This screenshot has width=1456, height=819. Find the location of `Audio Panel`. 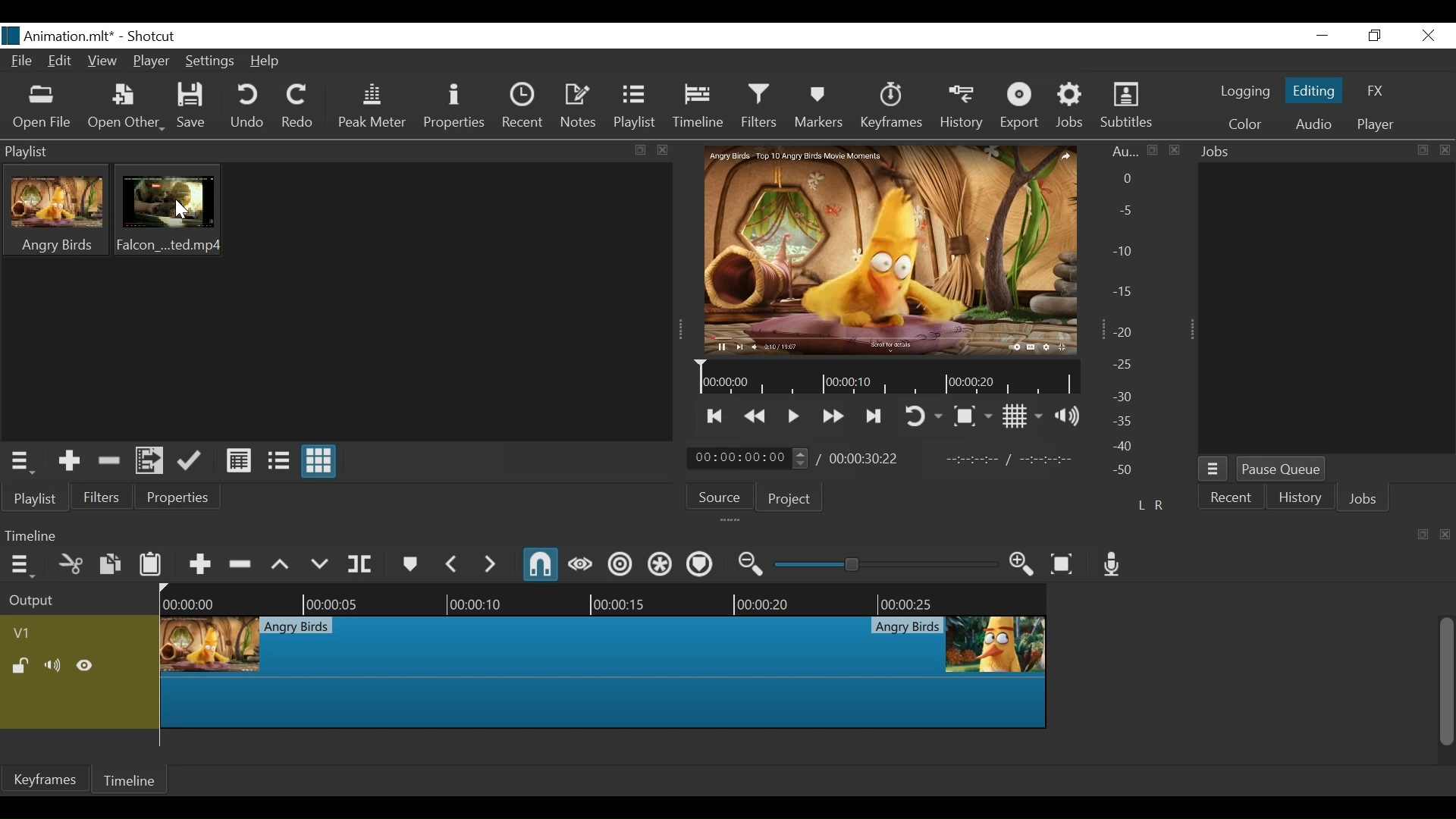

Audio Panel is located at coordinates (1129, 314).